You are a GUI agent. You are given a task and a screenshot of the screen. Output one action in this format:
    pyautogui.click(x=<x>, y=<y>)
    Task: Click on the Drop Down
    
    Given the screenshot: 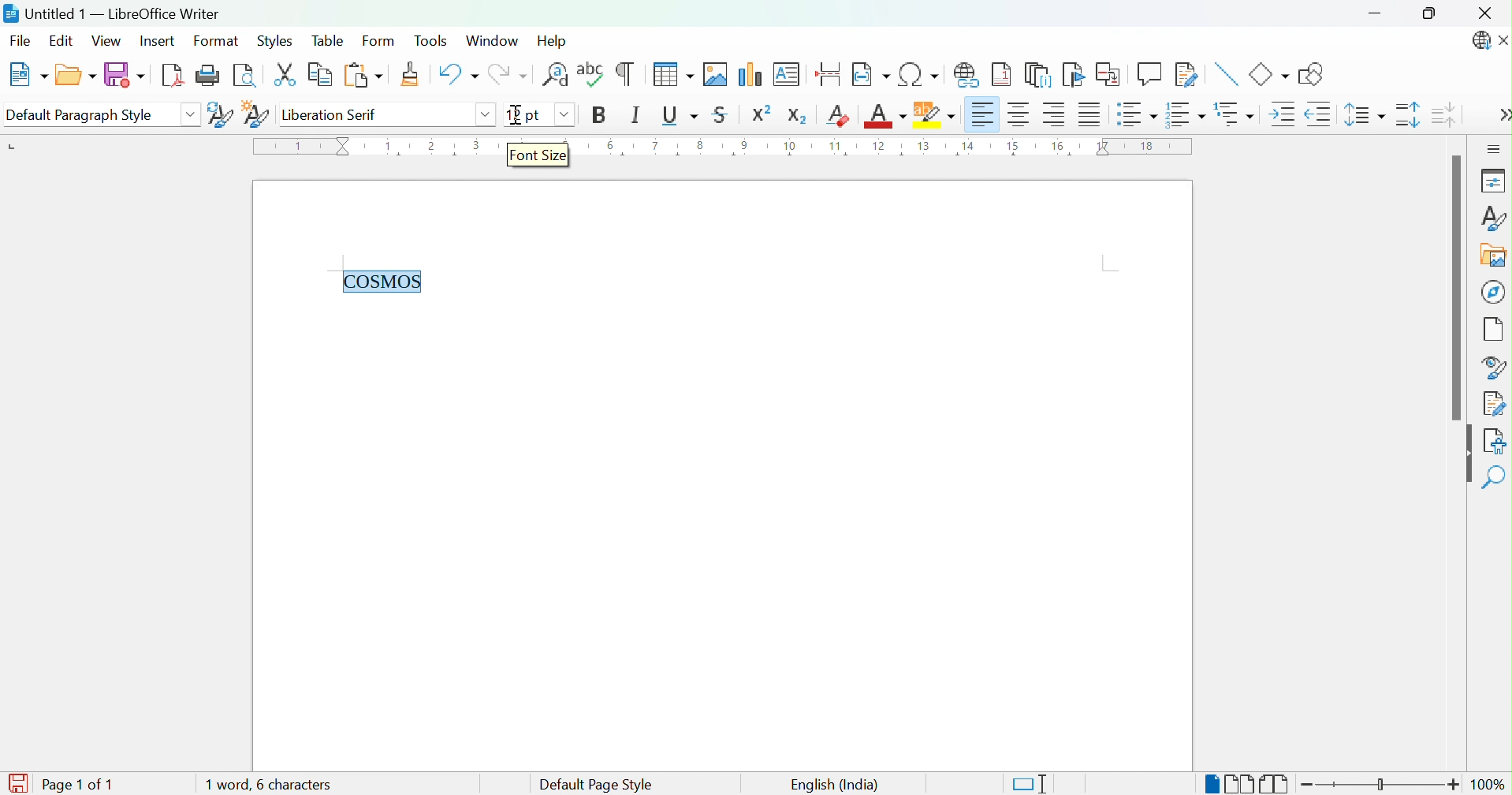 What is the action you would take?
    pyautogui.click(x=191, y=114)
    